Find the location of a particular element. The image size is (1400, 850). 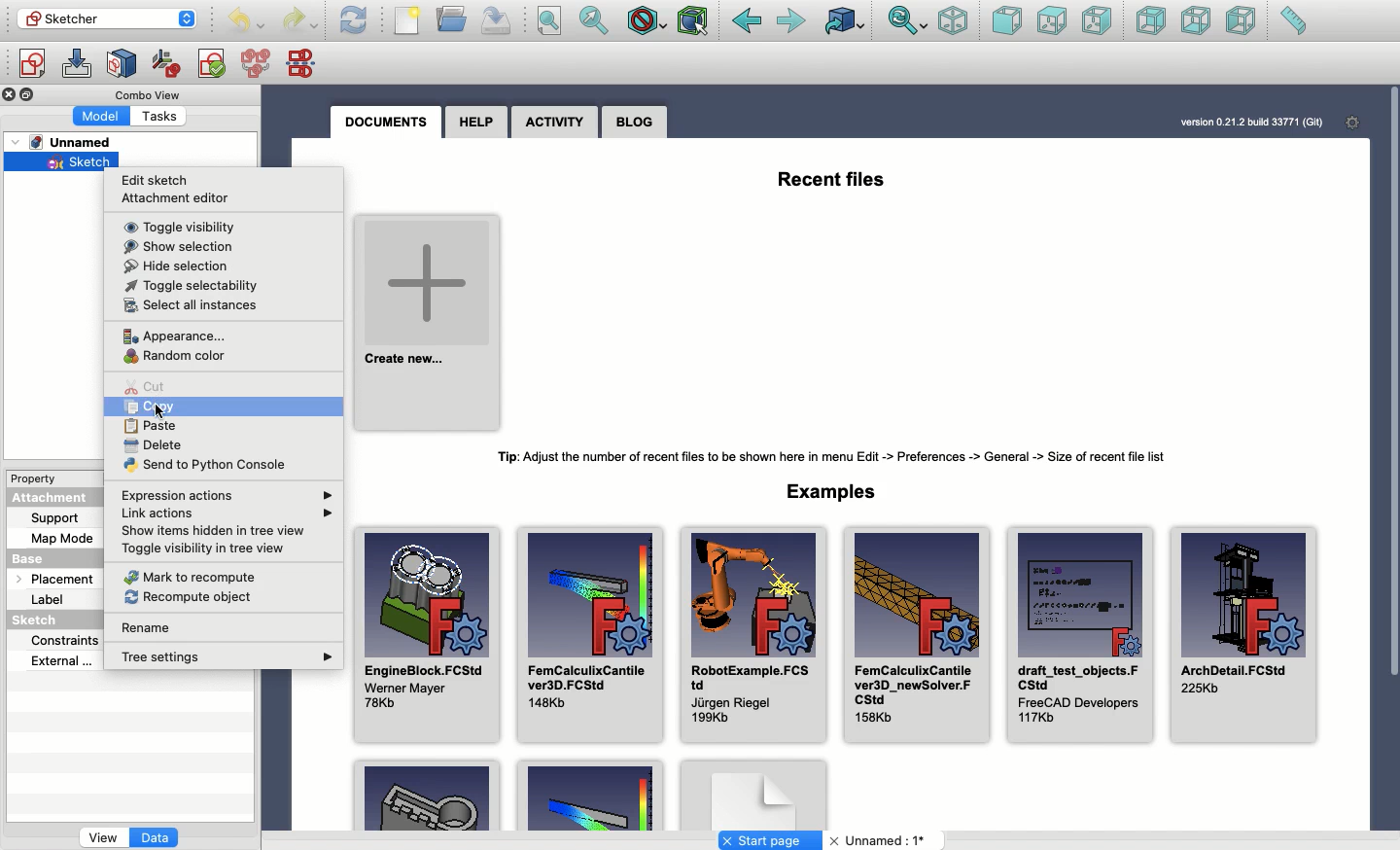

Toggle visibility in tree view is located at coordinates (205, 549).